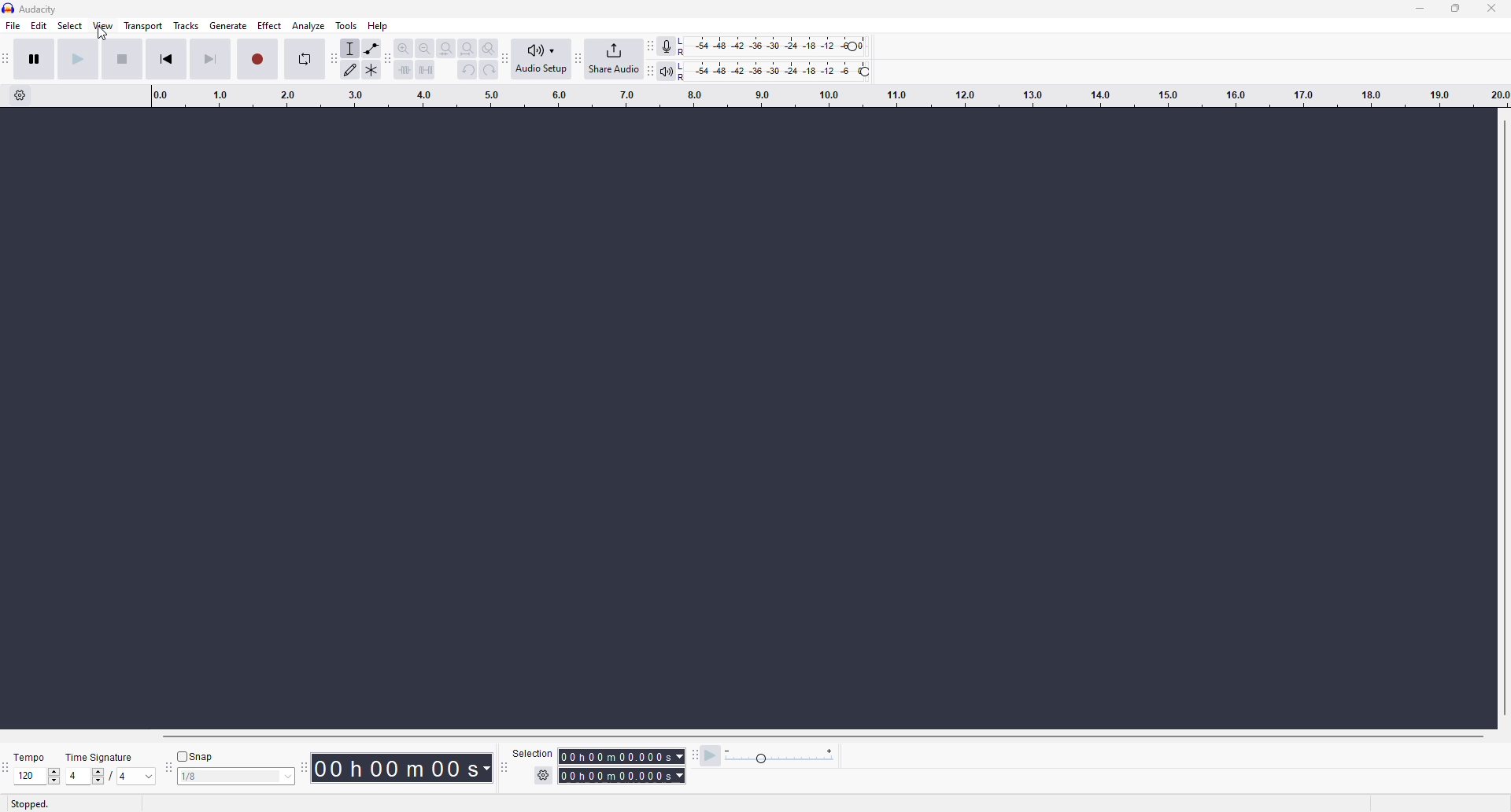 This screenshot has height=812, width=1511. What do you see at coordinates (427, 71) in the screenshot?
I see `silence audio selection` at bounding box center [427, 71].